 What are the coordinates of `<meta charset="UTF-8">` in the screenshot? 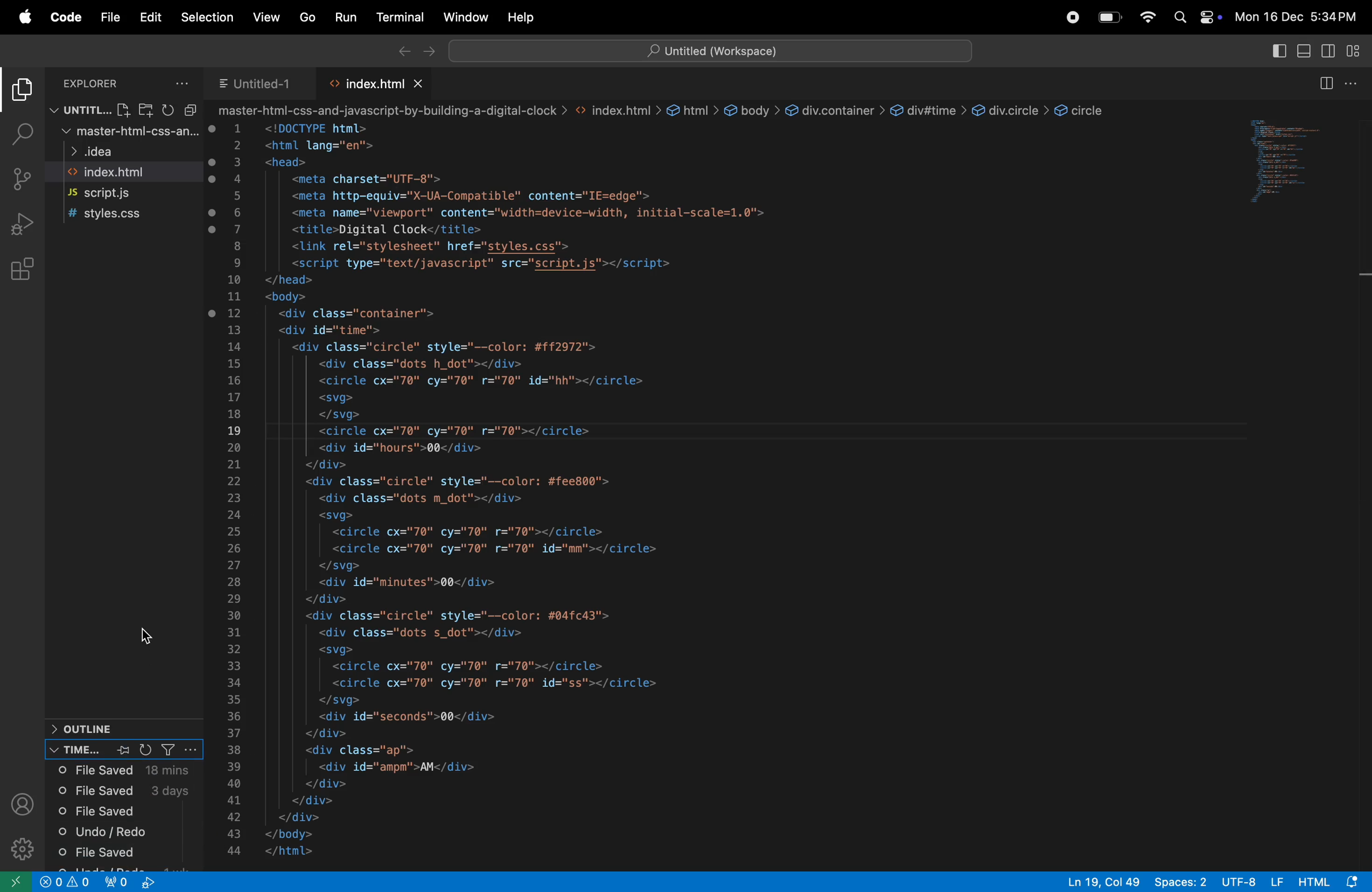 It's located at (365, 179).